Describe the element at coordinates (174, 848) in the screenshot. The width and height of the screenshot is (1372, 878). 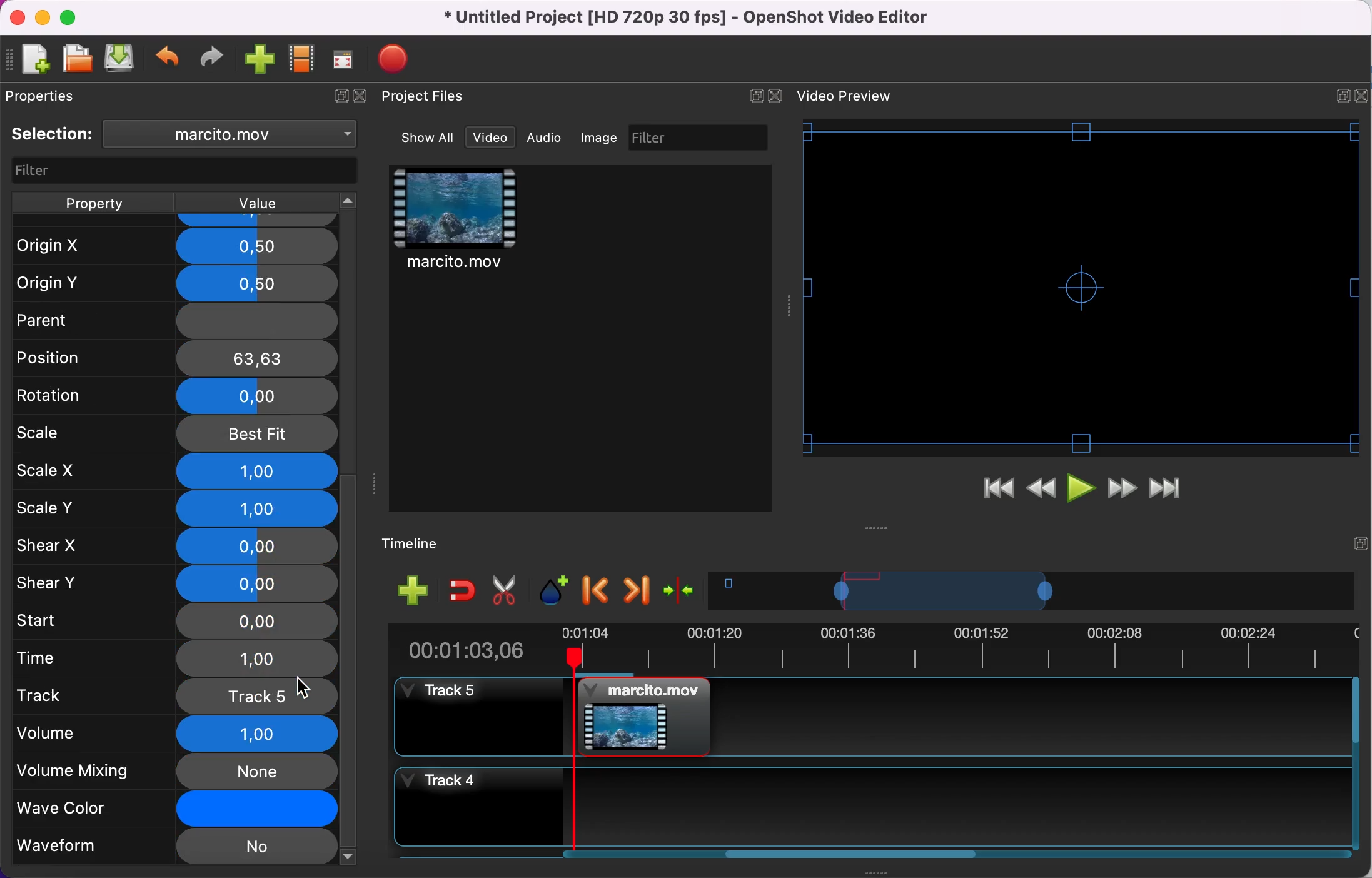
I see `wave form no` at that location.